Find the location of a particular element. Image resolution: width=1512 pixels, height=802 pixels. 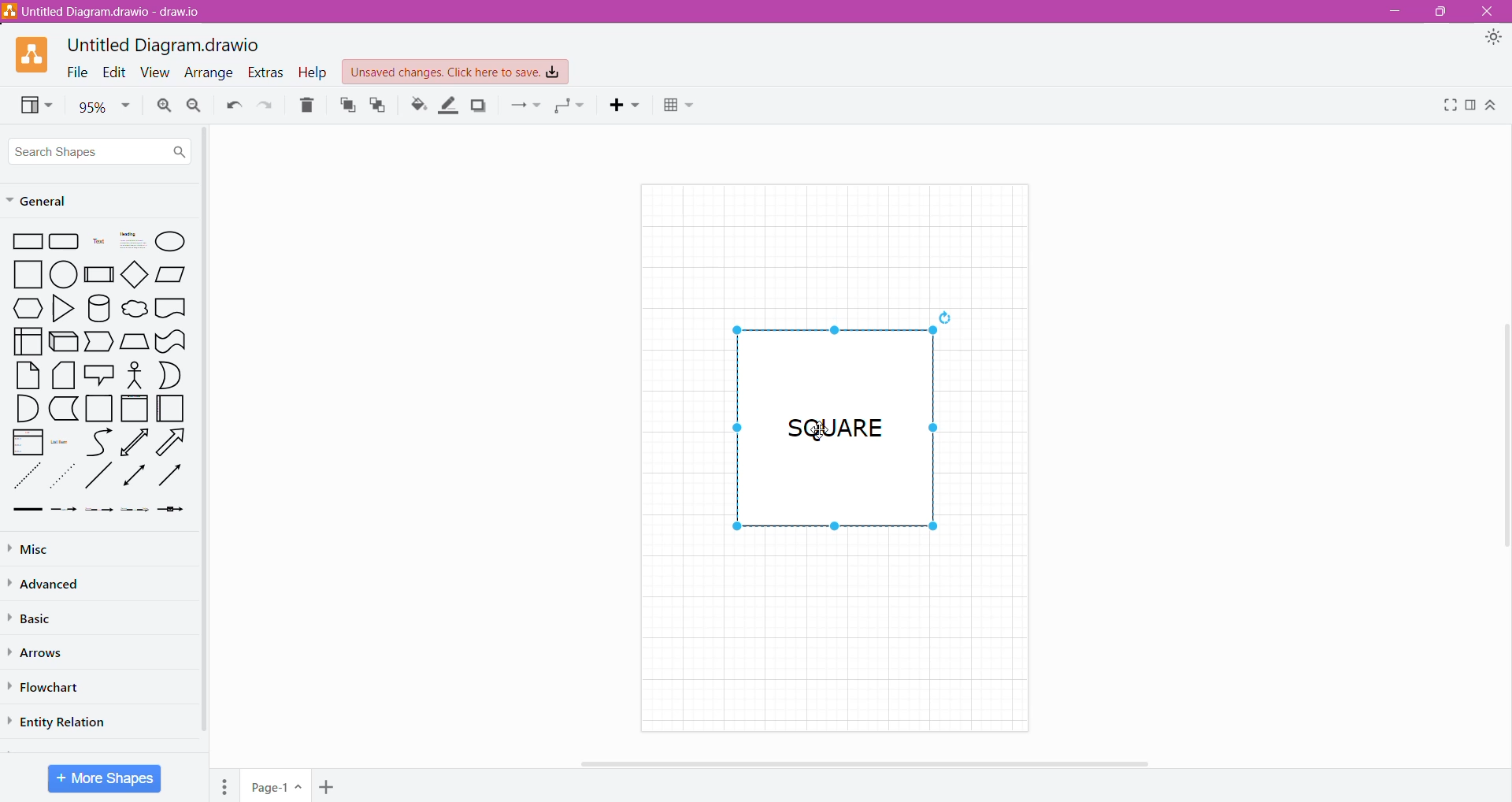

Unsaved Changes. Click here to save is located at coordinates (456, 72).